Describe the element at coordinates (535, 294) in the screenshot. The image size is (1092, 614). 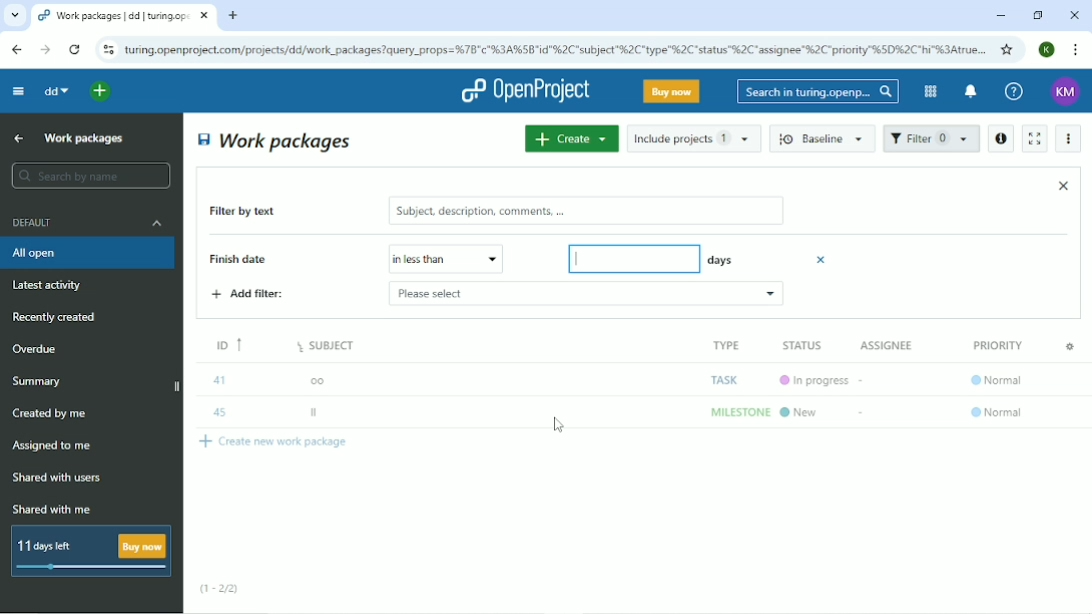
I see `please select` at that location.